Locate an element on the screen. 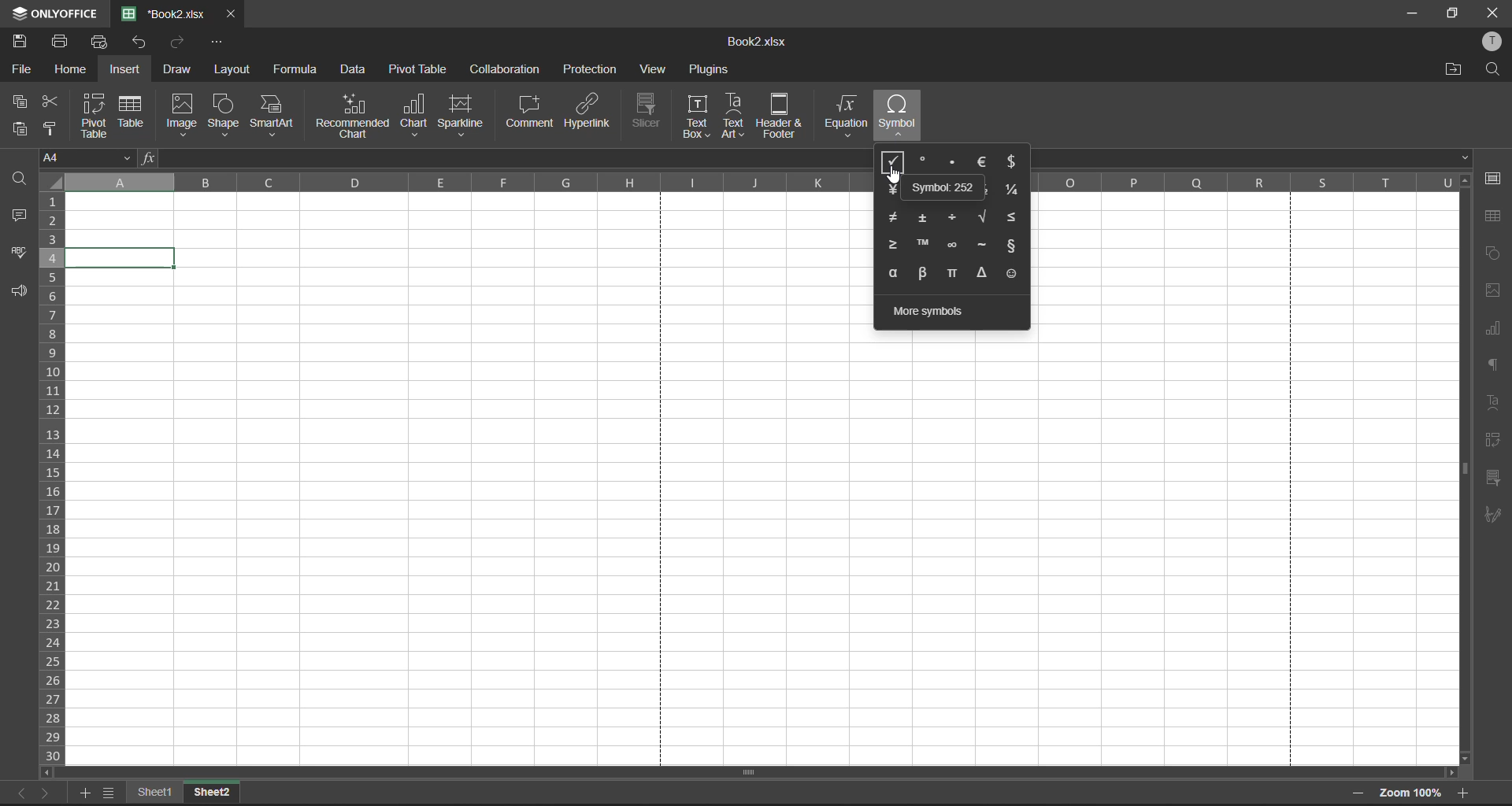 This screenshot has height=806, width=1512. not equal to  is located at coordinates (891, 217).